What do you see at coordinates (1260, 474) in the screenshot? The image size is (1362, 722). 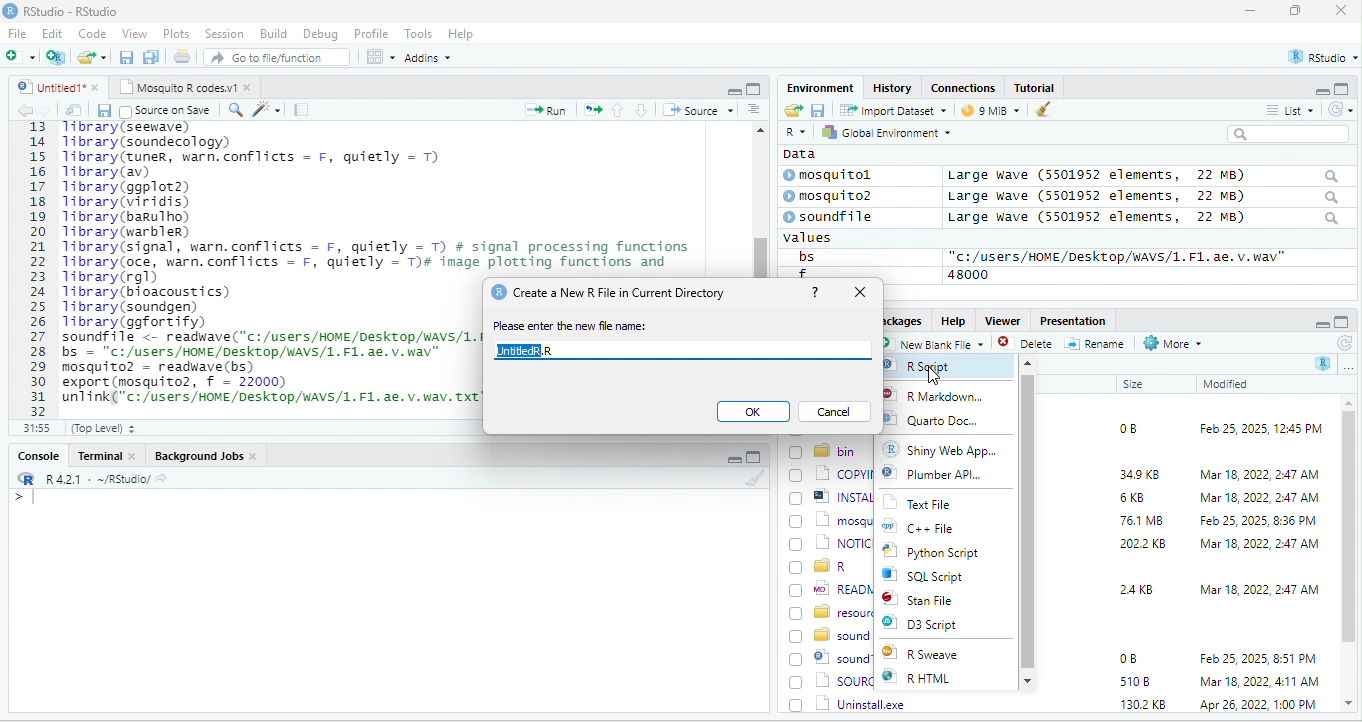 I see `Mar 18, 2022, 247 AM` at bounding box center [1260, 474].